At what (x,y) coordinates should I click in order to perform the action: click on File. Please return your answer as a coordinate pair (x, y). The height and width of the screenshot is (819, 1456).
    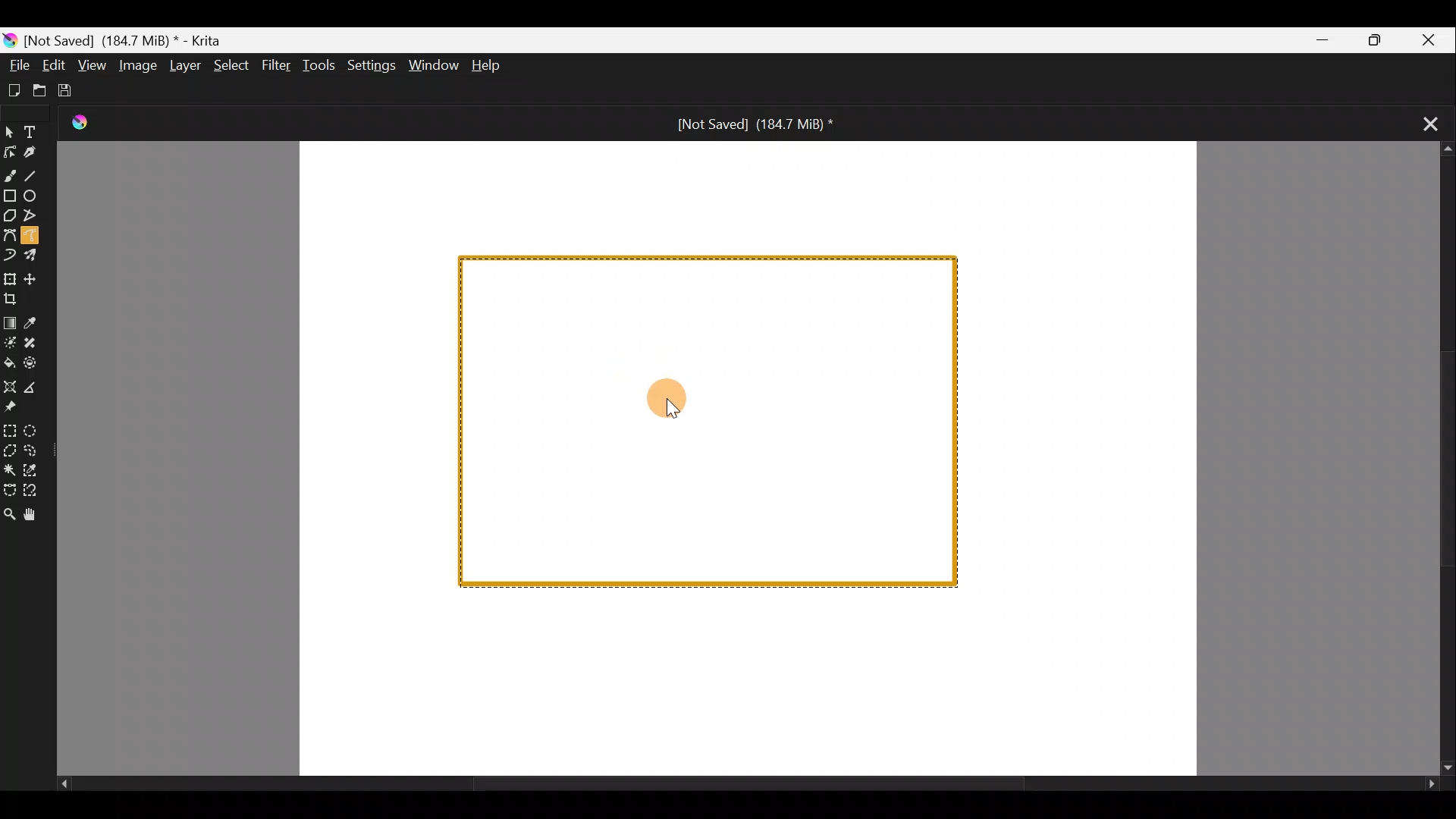
    Looking at the image, I should click on (15, 64).